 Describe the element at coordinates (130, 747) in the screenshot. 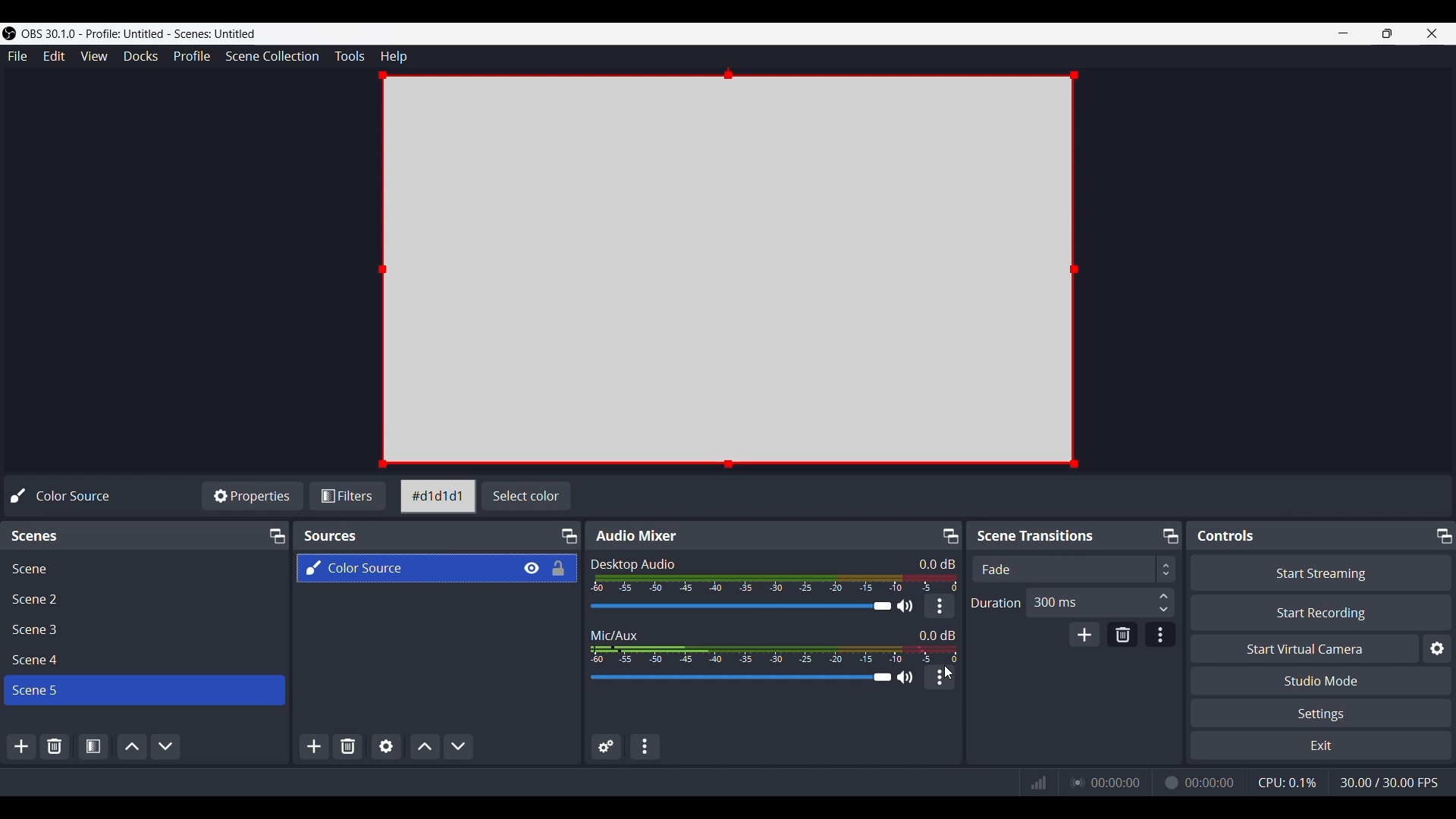

I see `Move Scene Up ` at that location.